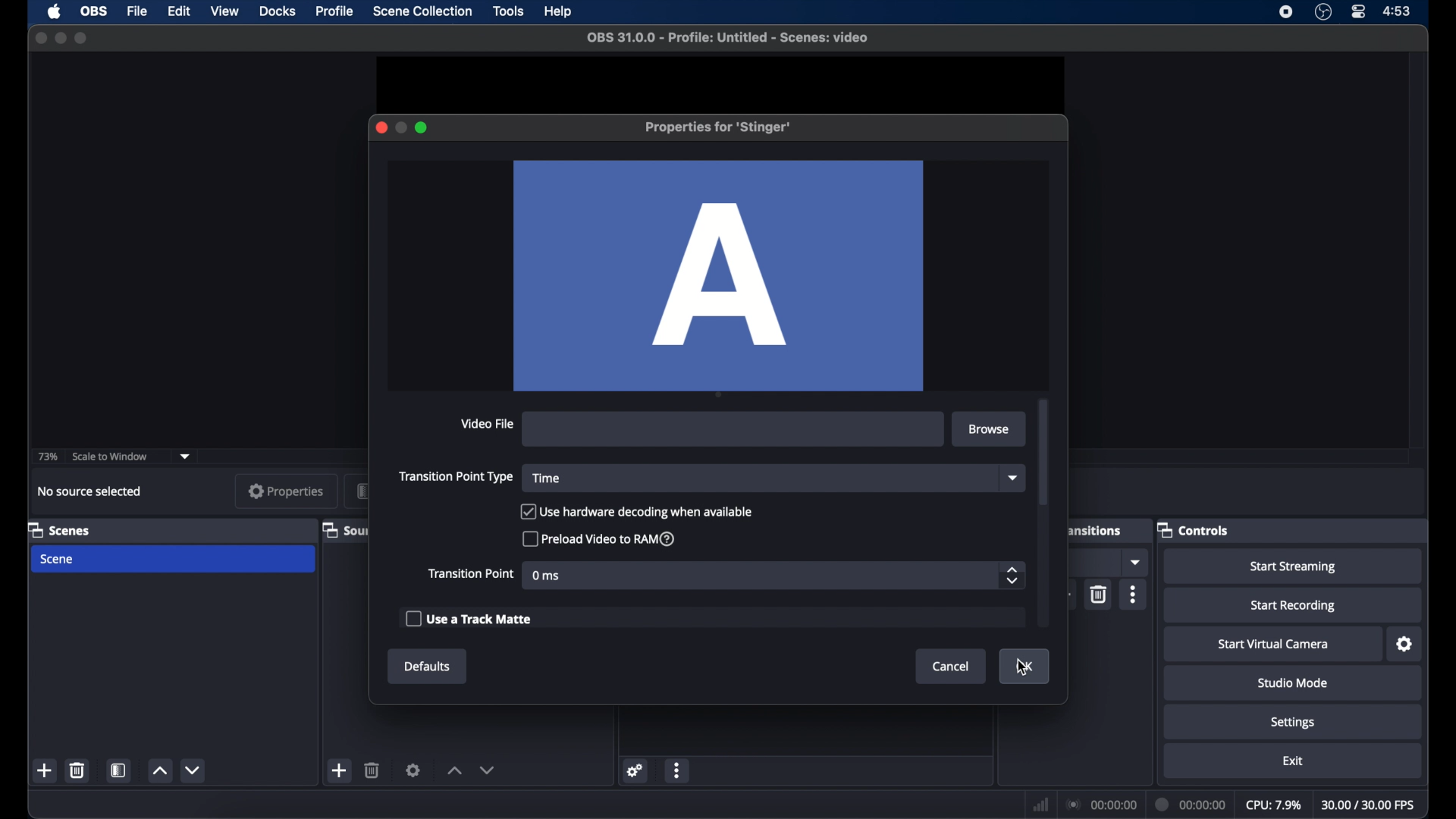 The height and width of the screenshot is (819, 1456). What do you see at coordinates (381, 127) in the screenshot?
I see `close` at bounding box center [381, 127].